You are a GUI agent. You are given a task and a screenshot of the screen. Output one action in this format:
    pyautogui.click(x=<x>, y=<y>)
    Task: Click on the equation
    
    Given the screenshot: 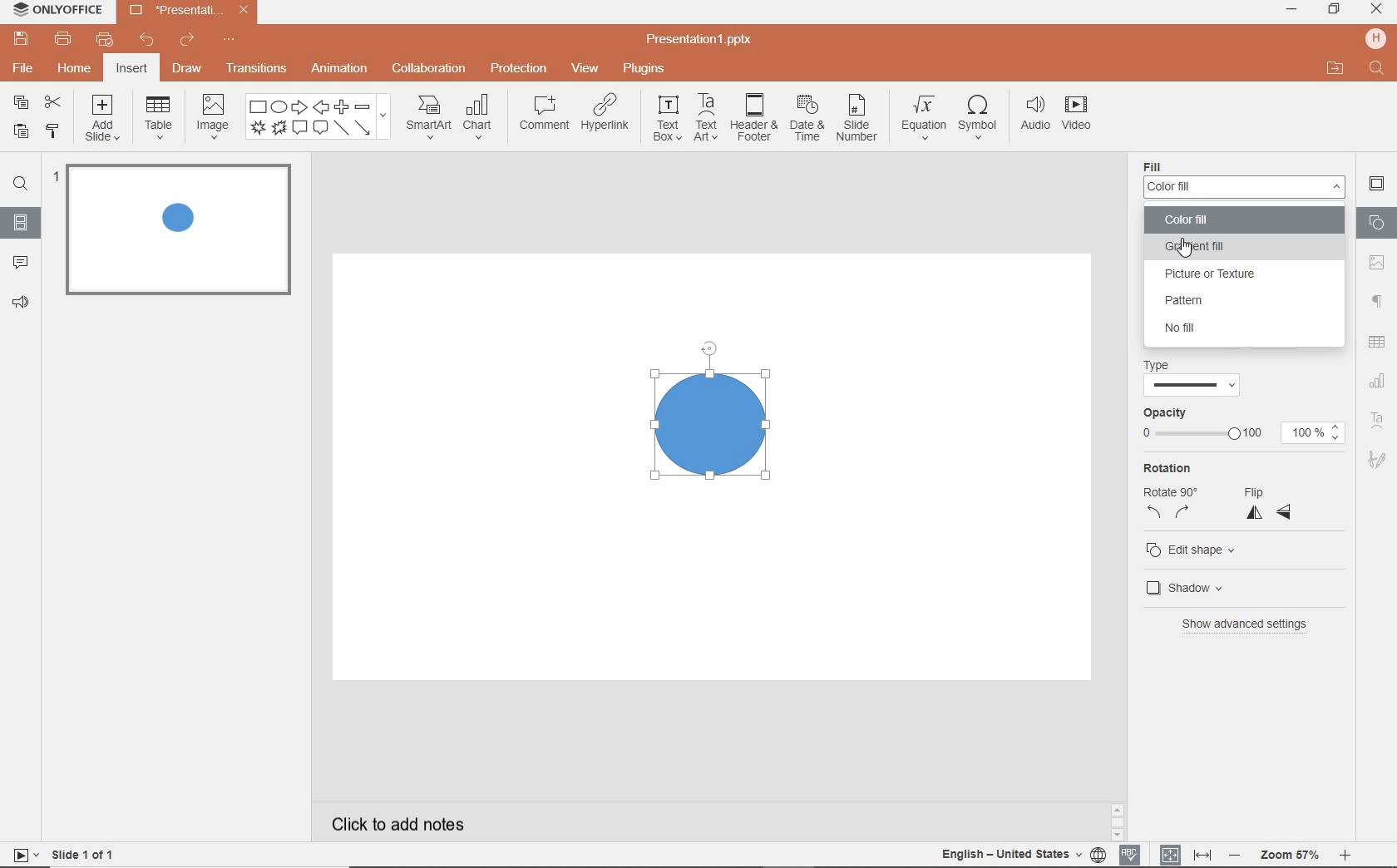 What is the action you would take?
    pyautogui.click(x=922, y=117)
    